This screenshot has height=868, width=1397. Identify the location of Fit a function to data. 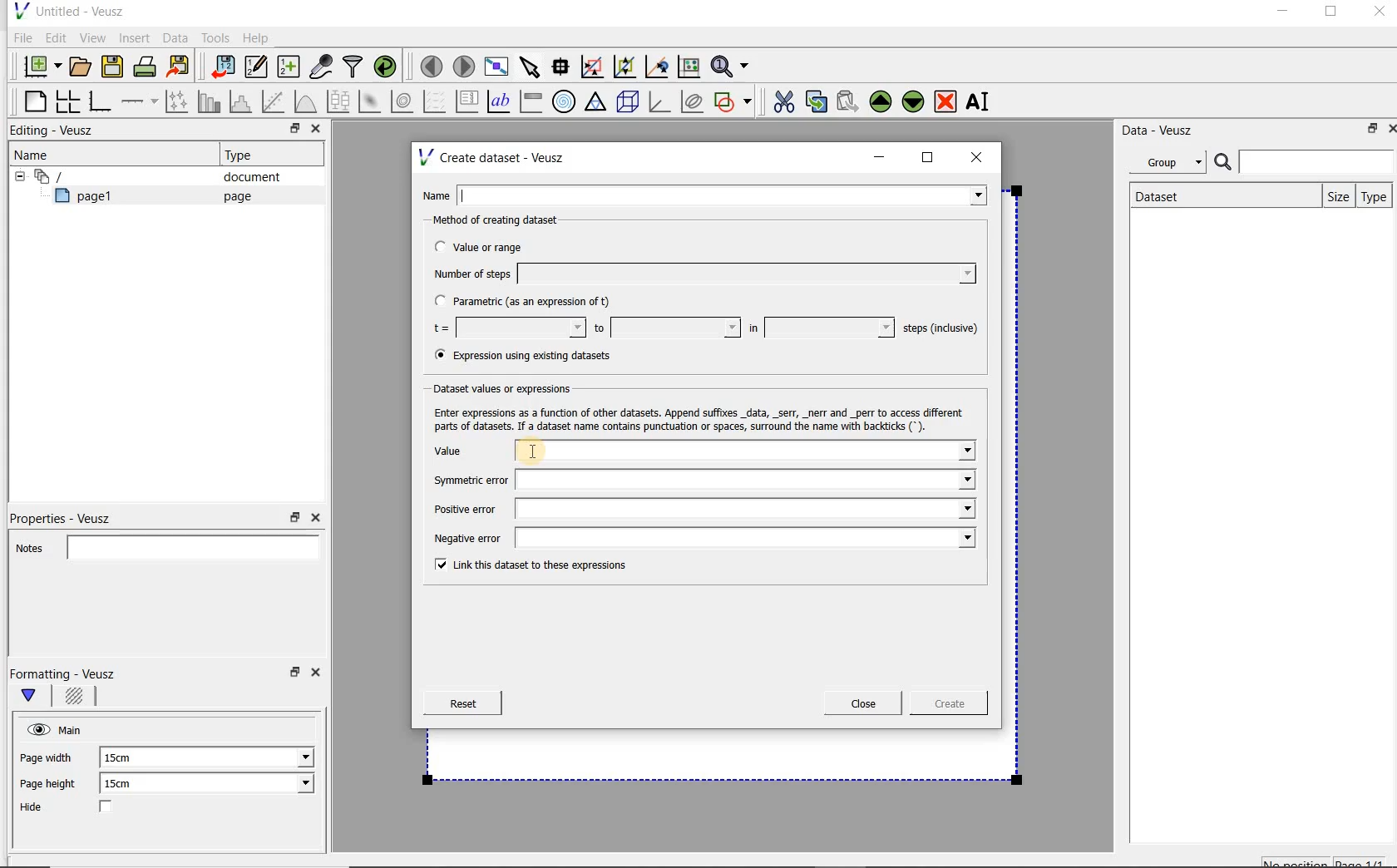
(275, 101).